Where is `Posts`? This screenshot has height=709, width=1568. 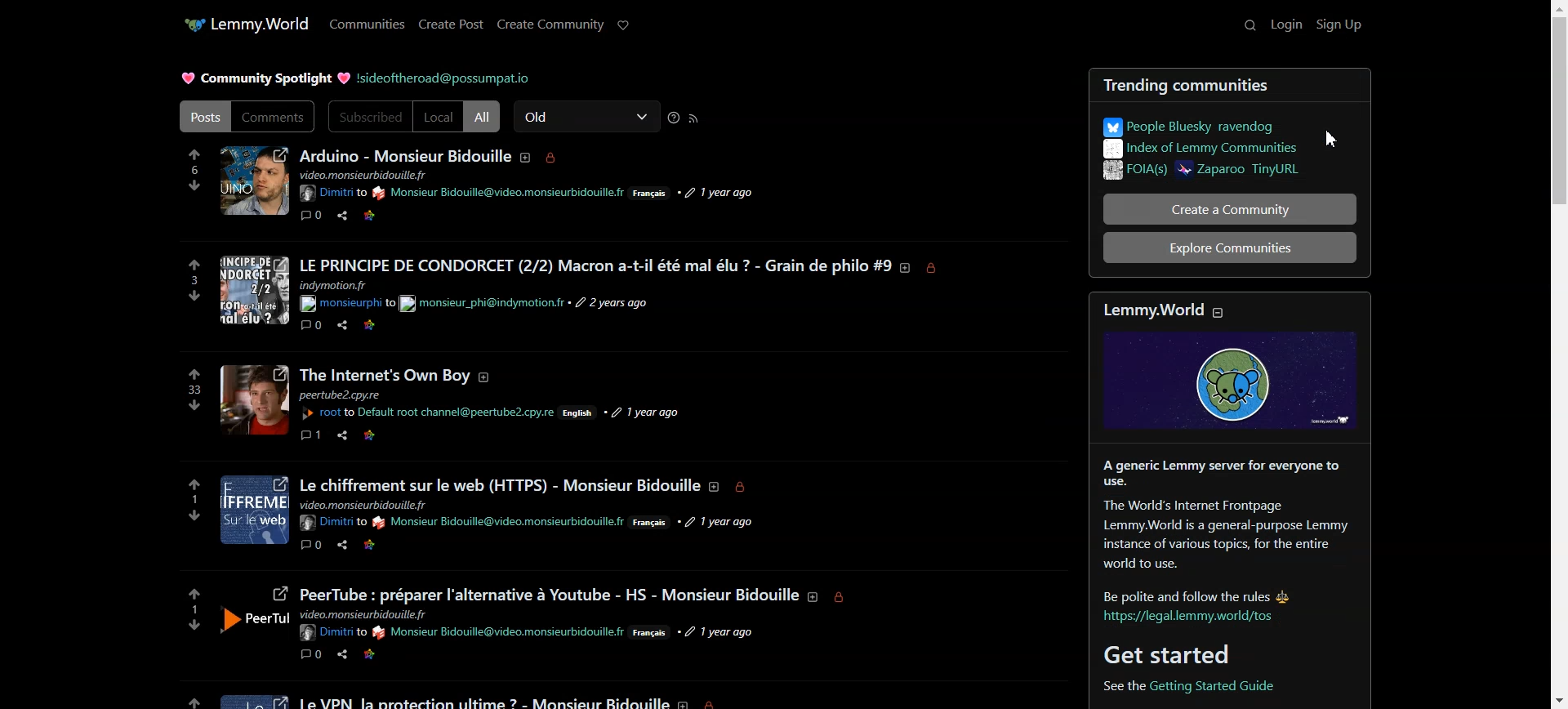
Posts is located at coordinates (203, 116).